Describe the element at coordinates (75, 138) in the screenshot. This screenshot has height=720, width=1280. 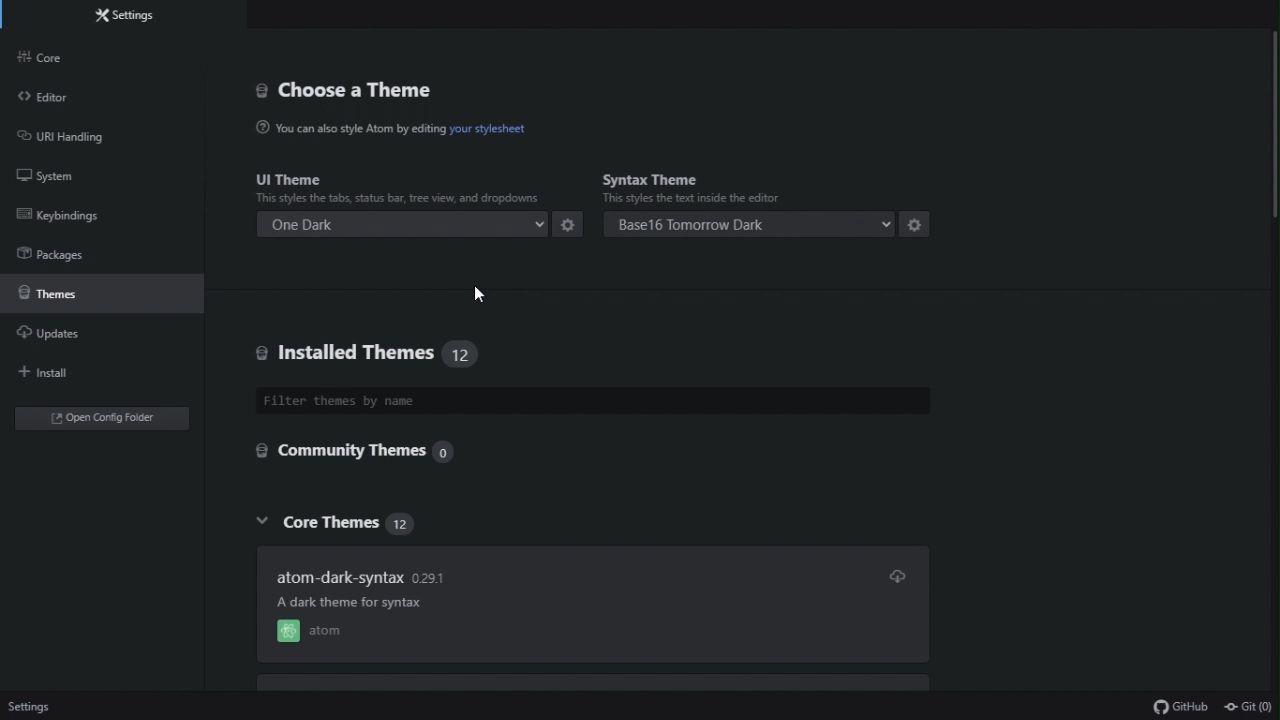
I see `URL handling` at that location.